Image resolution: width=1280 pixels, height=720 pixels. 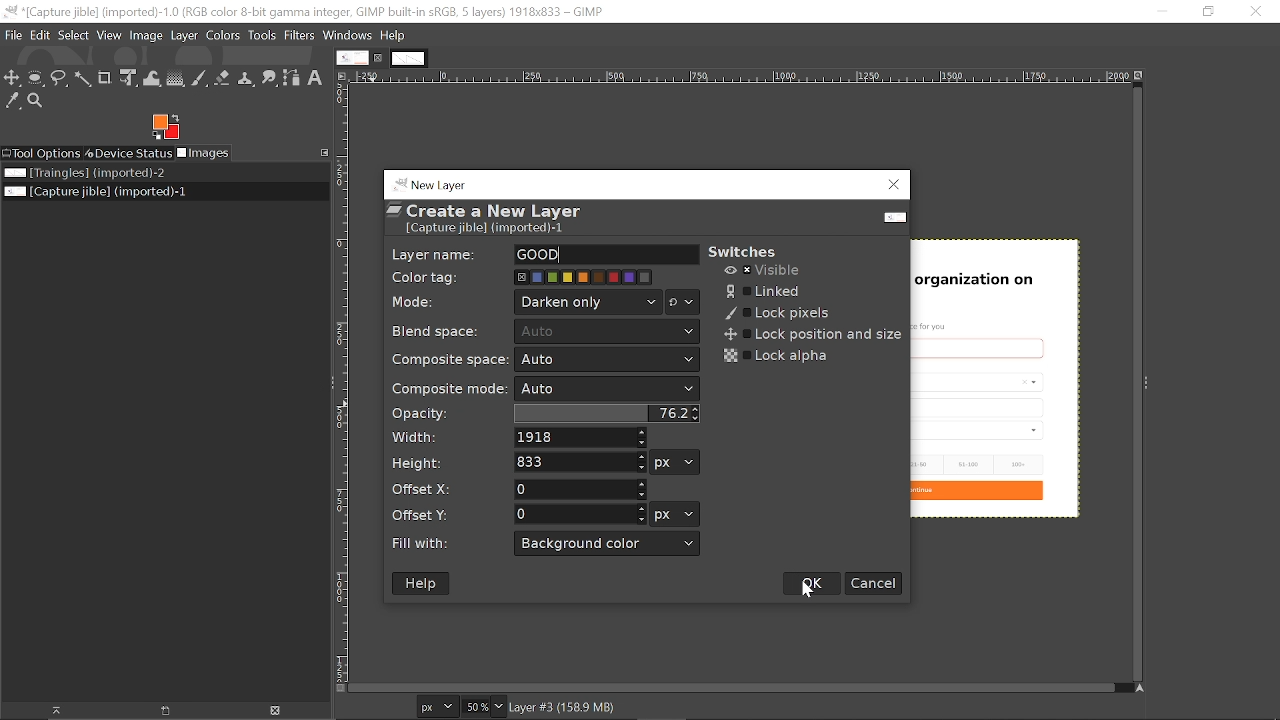 What do you see at coordinates (424, 413) in the screenshot?
I see `Opacity:` at bounding box center [424, 413].